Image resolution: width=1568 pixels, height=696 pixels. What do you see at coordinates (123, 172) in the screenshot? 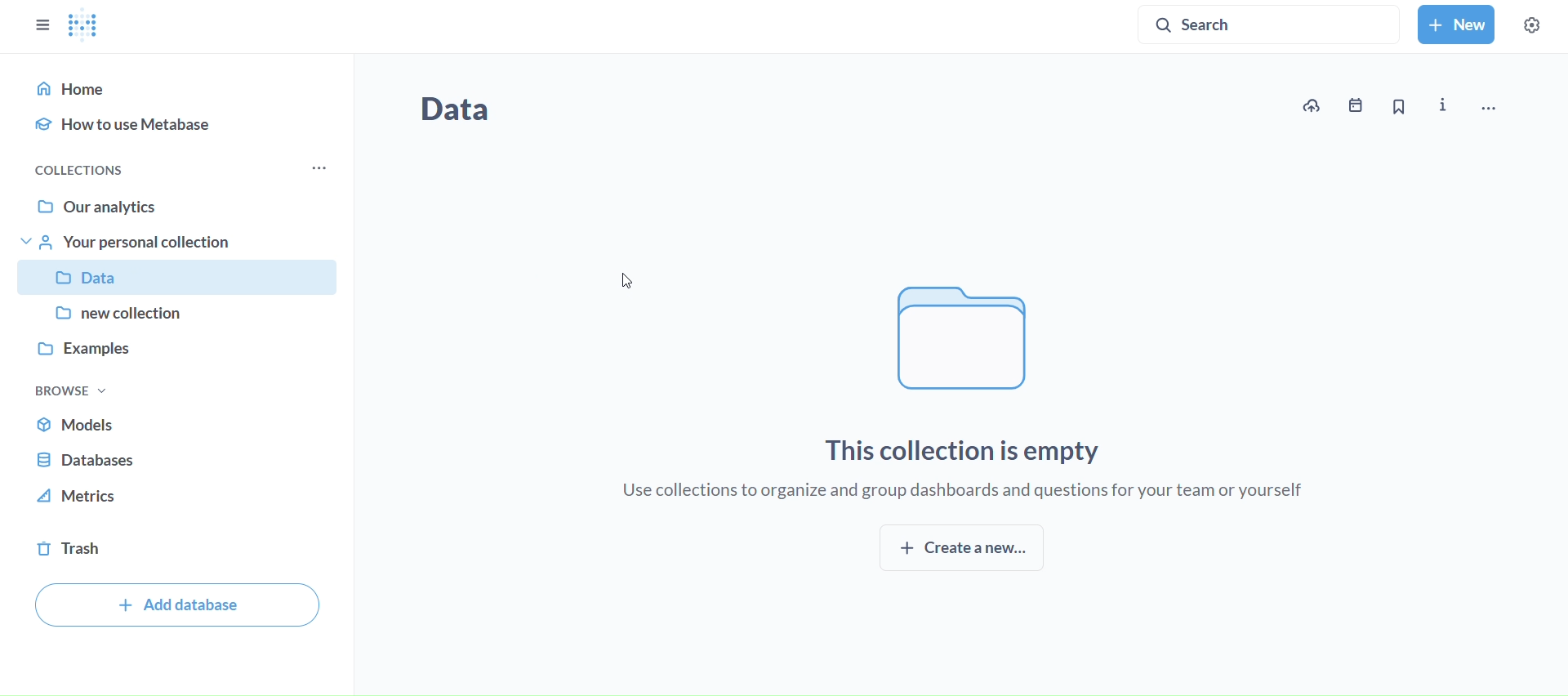
I see `collections` at bounding box center [123, 172].